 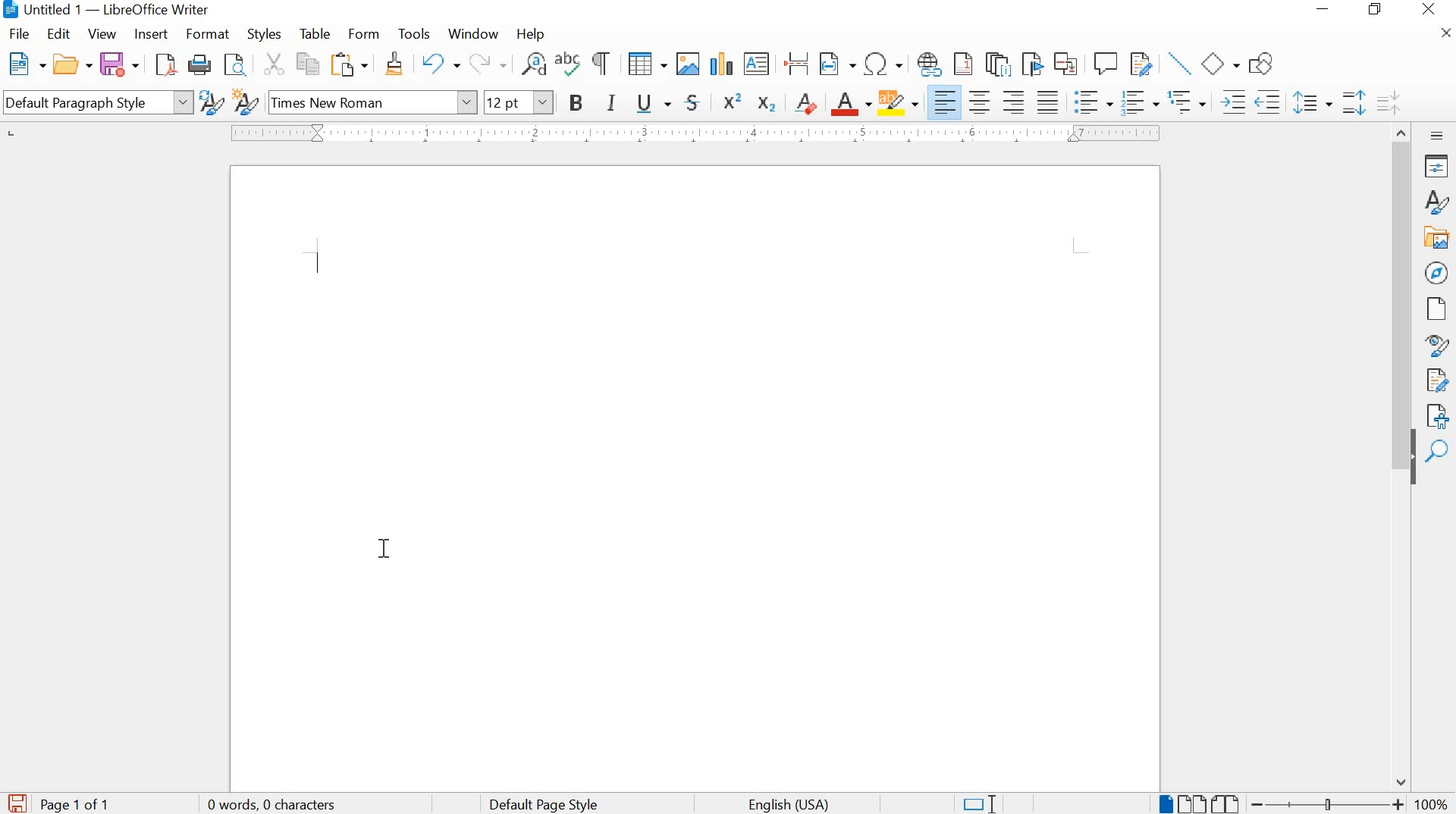 What do you see at coordinates (836, 65) in the screenshot?
I see `INSERT FIELD` at bounding box center [836, 65].